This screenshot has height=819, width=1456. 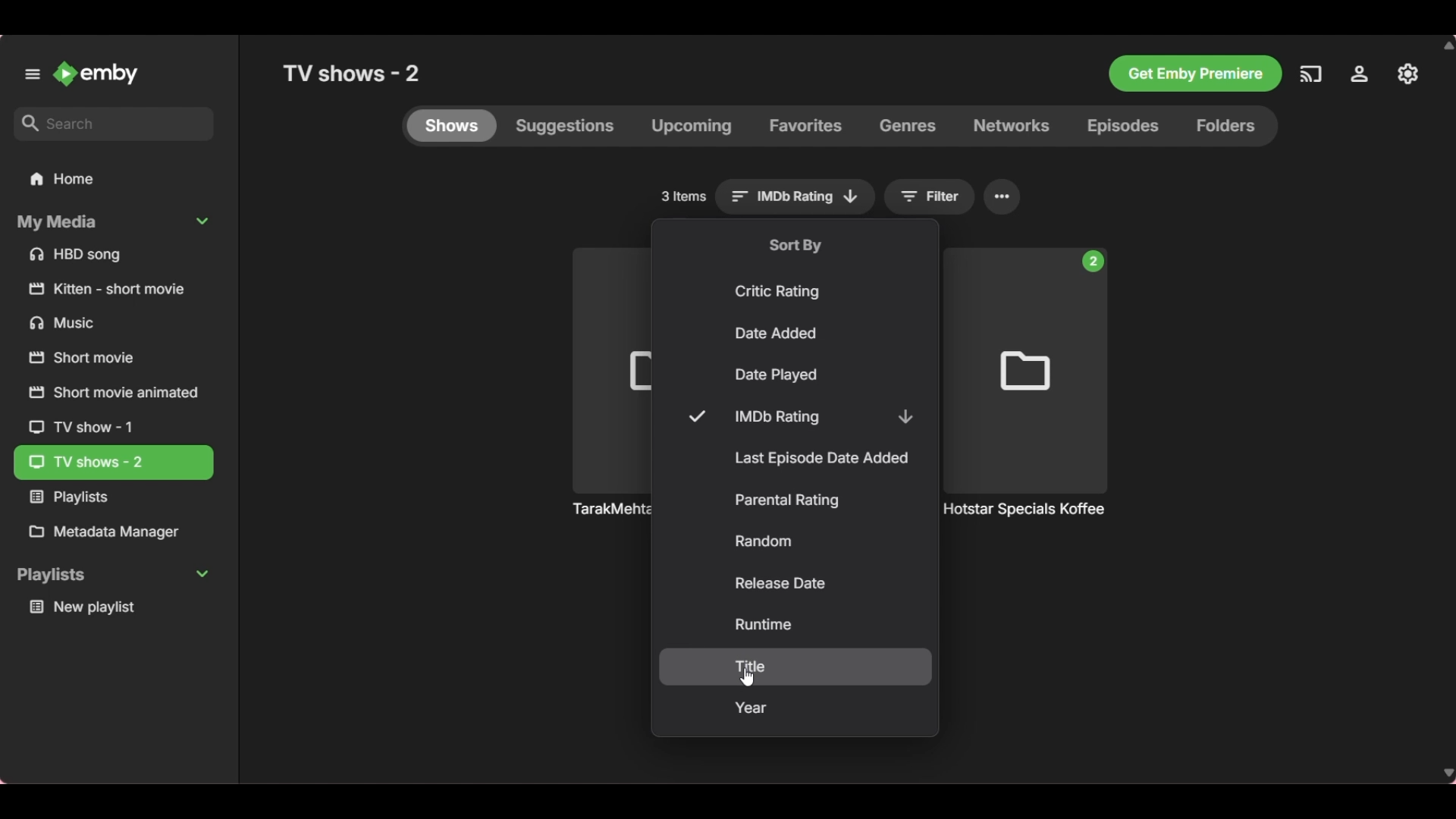 What do you see at coordinates (113, 124) in the screenshot?
I see `Search box` at bounding box center [113, 124].